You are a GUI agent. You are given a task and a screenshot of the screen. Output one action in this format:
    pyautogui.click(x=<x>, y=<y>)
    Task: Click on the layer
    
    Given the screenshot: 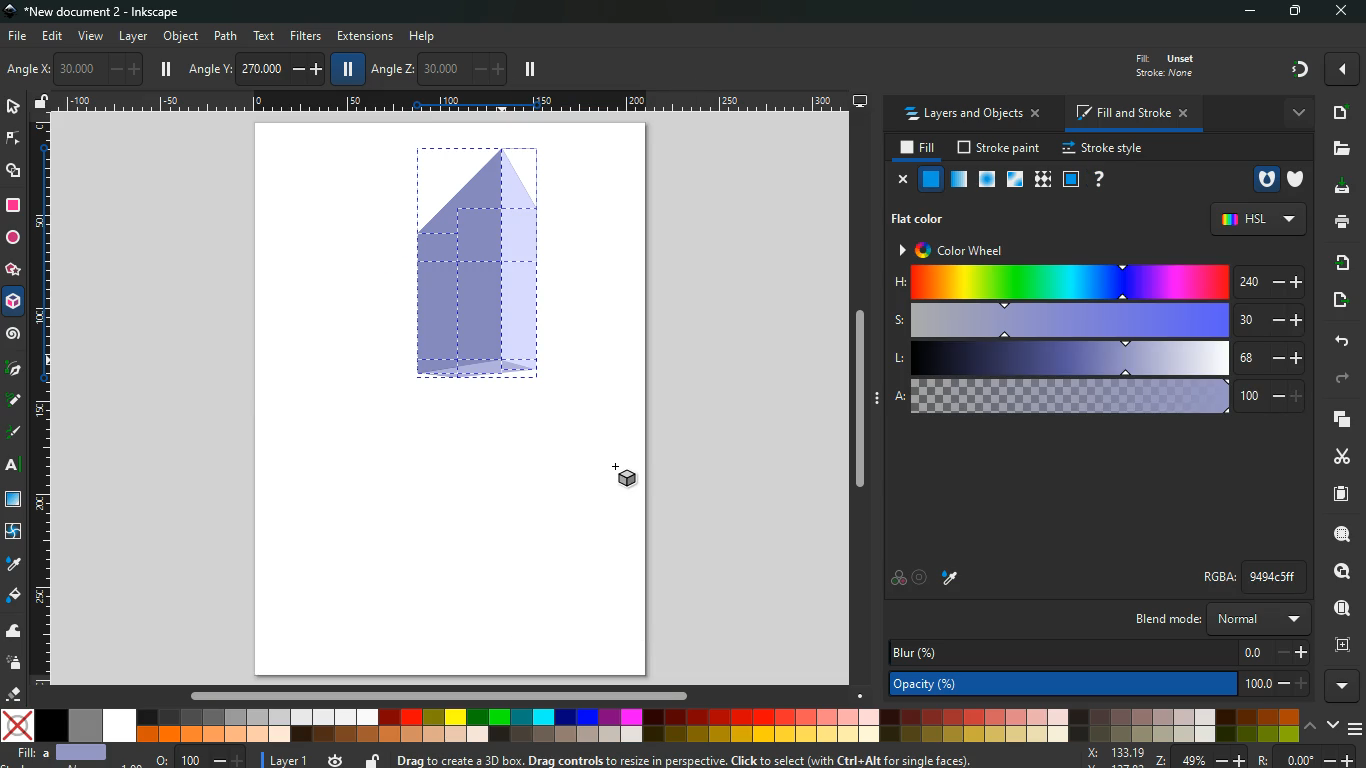 What is the action you would take?
    pyautogui.click(x=134, y=37)
    